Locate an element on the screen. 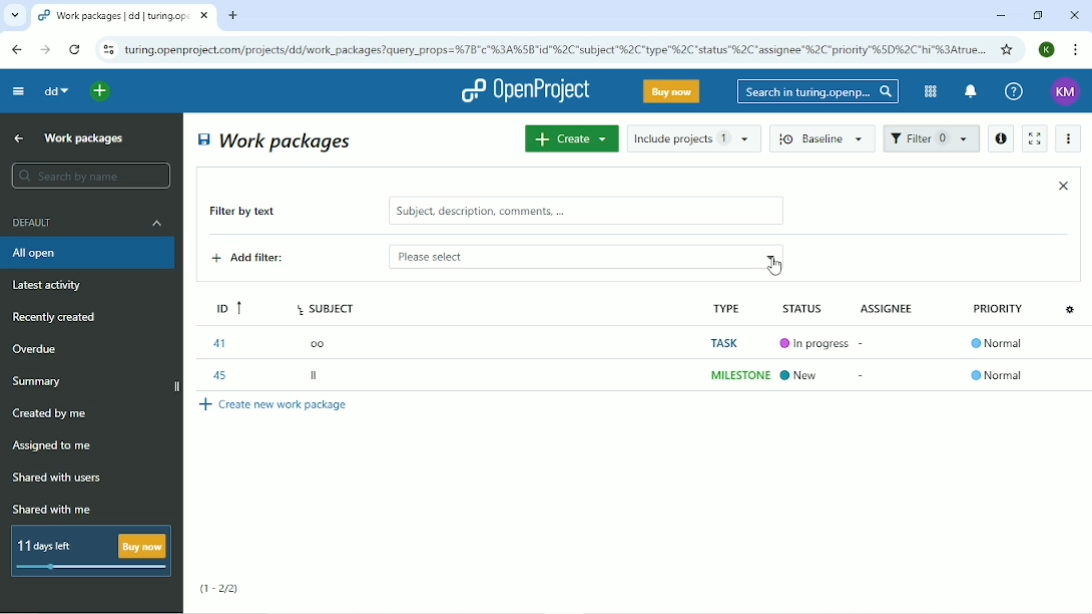 The image size is (1092, 614). Create is located at coordinates (571, 138).